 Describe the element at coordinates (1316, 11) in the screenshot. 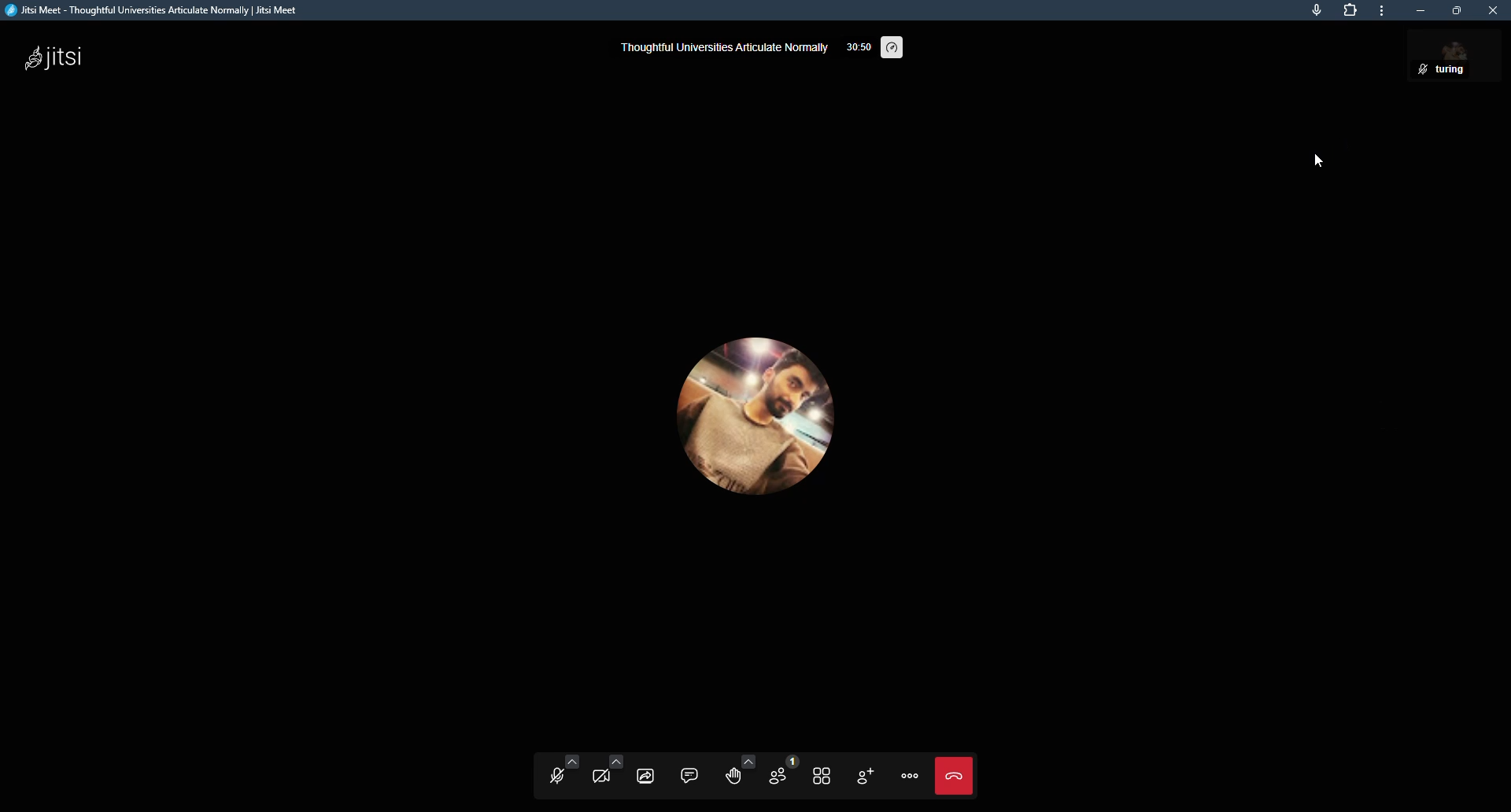

I see `this page is accessing your mic` at that location.